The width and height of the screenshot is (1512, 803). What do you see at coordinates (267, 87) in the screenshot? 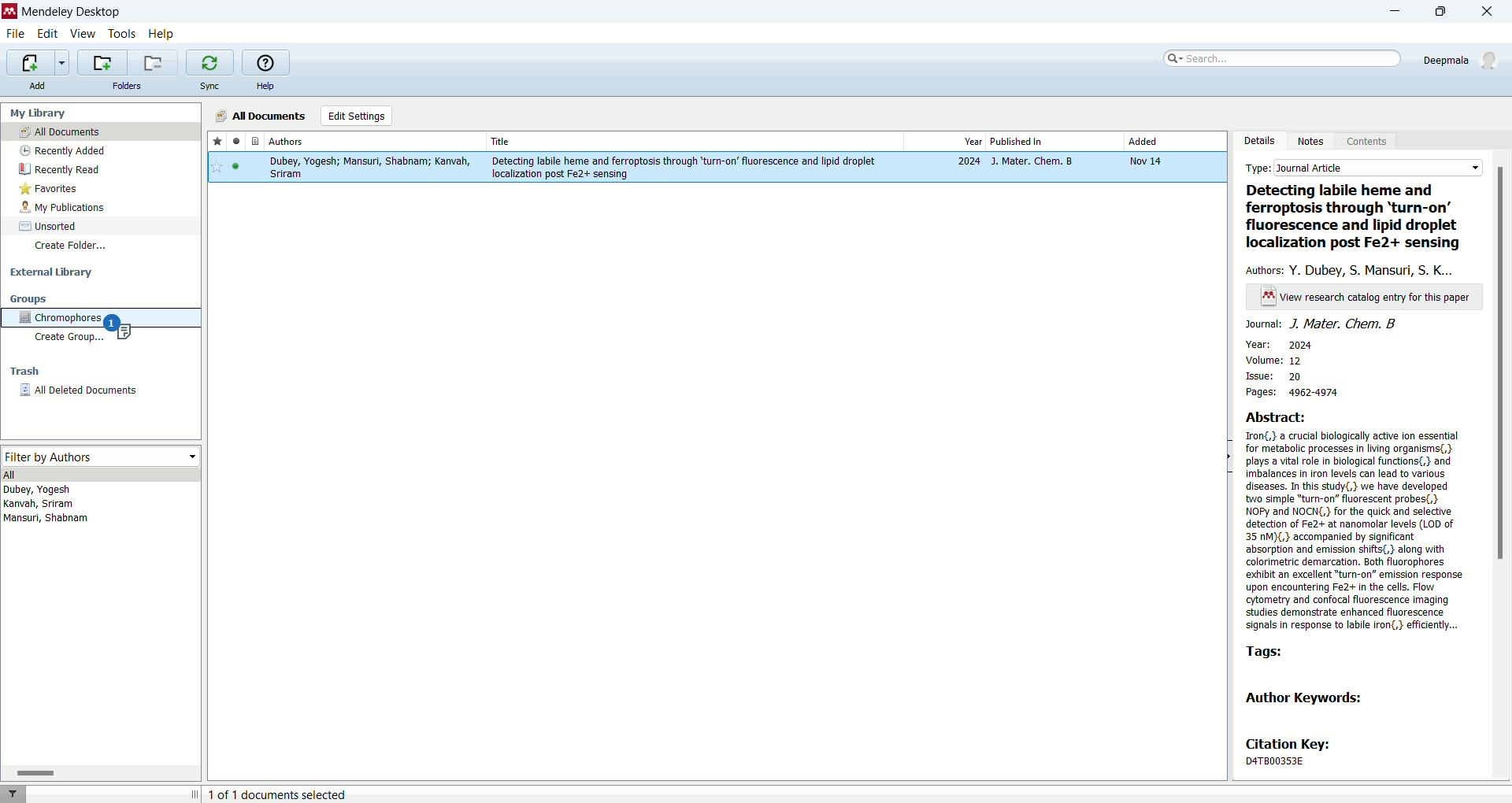
I see `help` at bounding box center [267, 87].